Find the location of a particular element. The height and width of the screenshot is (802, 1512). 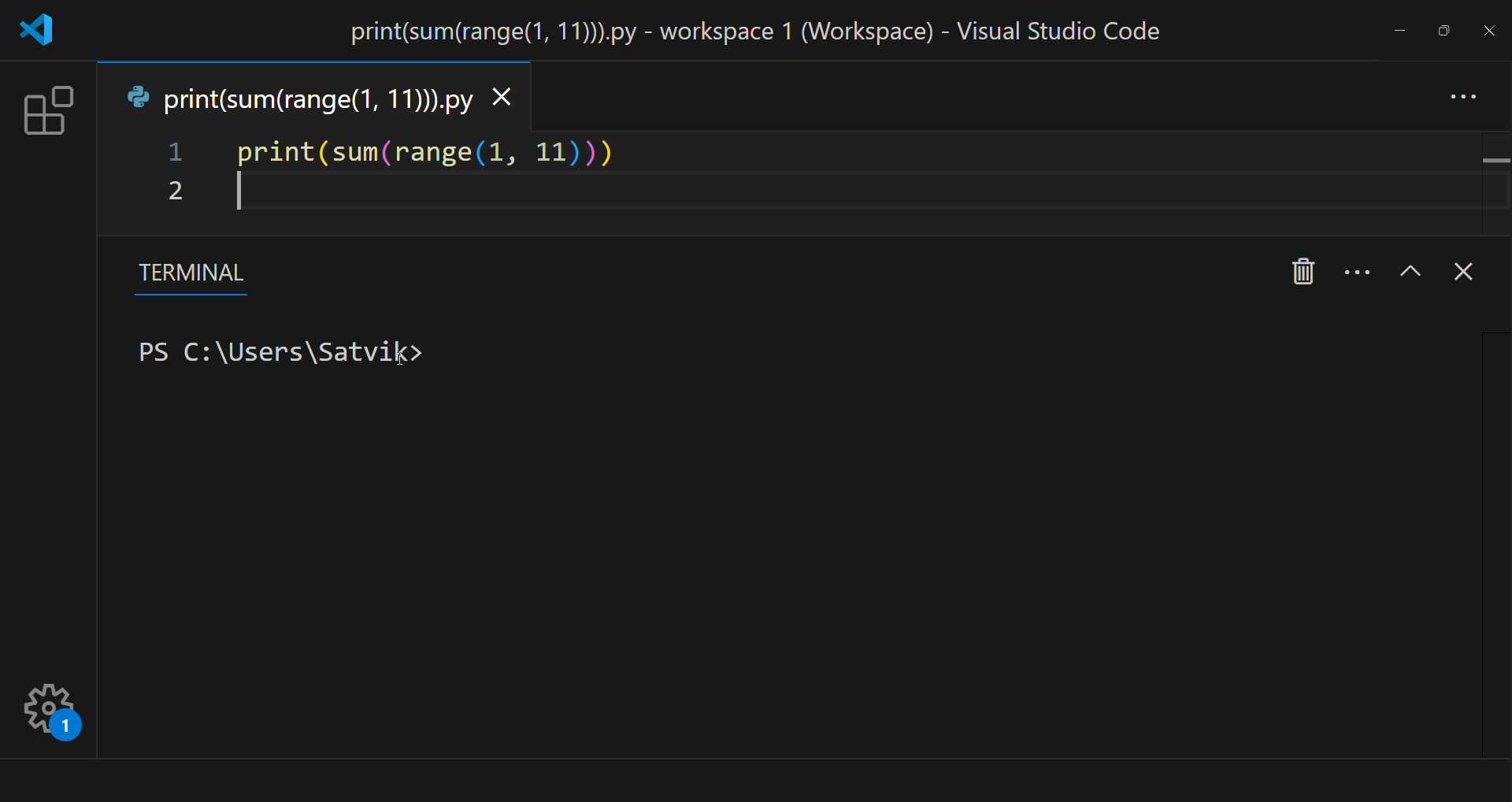

cleared terminal is located at coordinates (253, 371).